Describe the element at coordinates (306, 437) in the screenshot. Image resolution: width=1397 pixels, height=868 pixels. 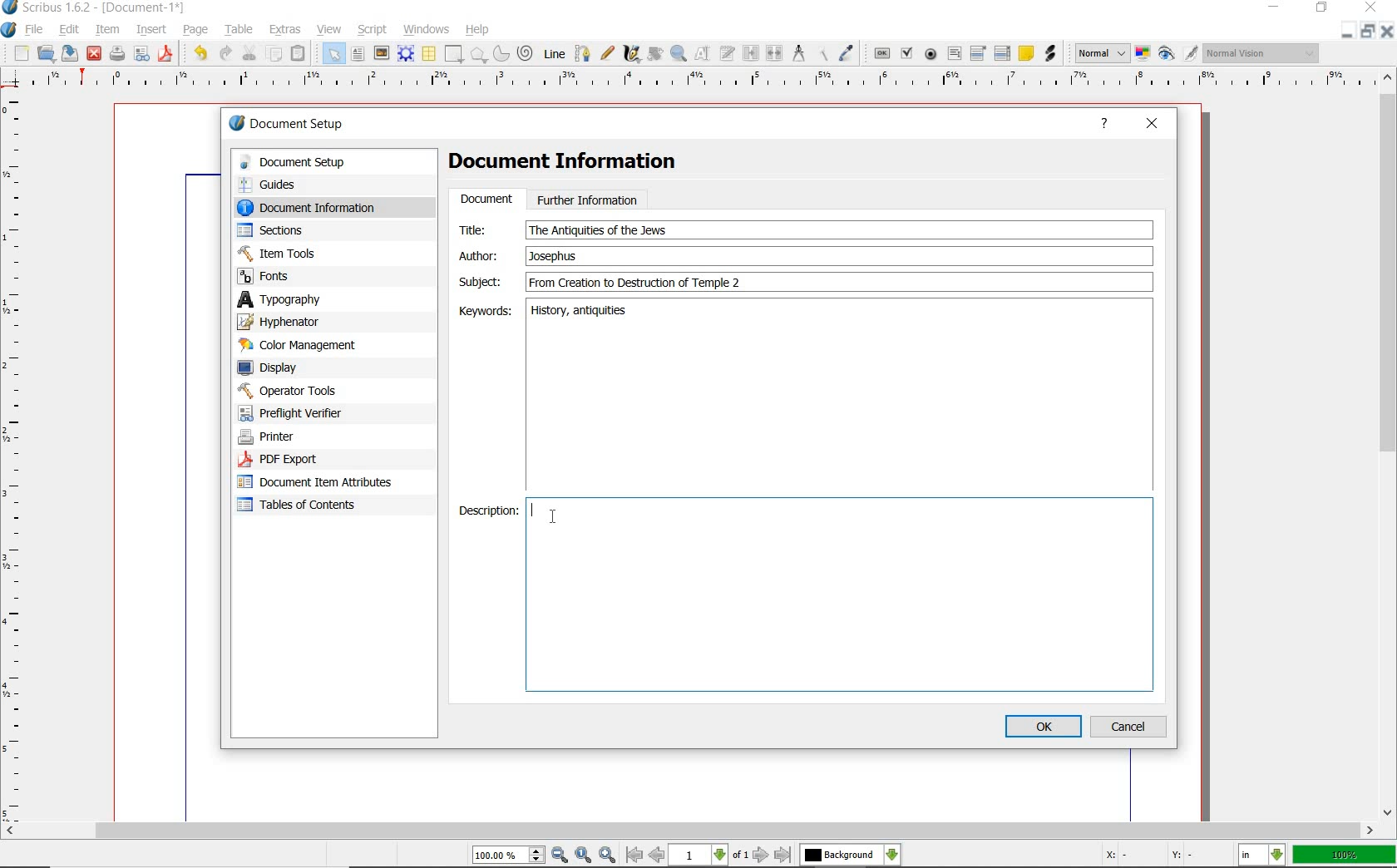
I see `printer` at that location.